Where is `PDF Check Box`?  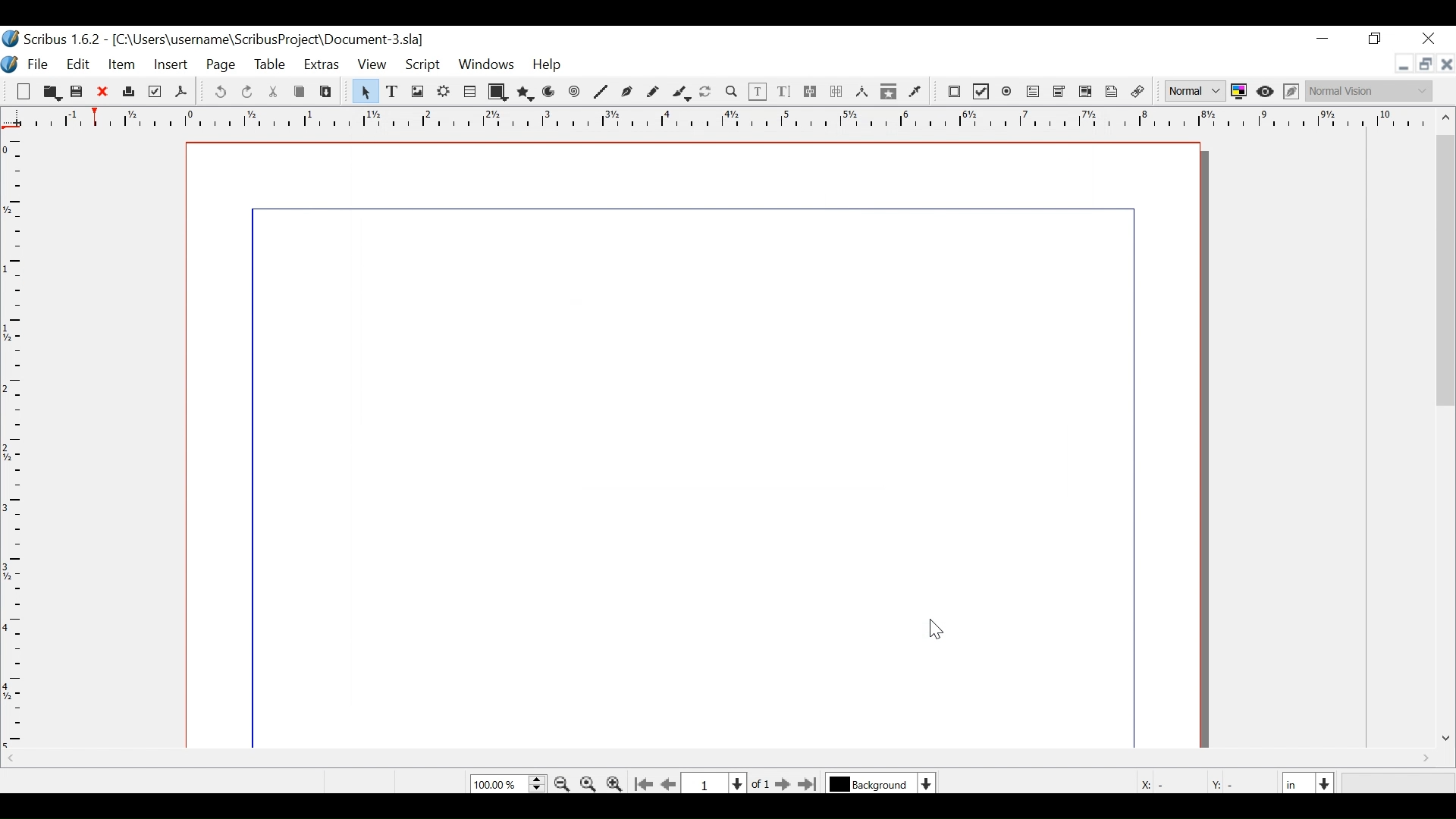
PDF Check Box is located at coordinates (981, 92).